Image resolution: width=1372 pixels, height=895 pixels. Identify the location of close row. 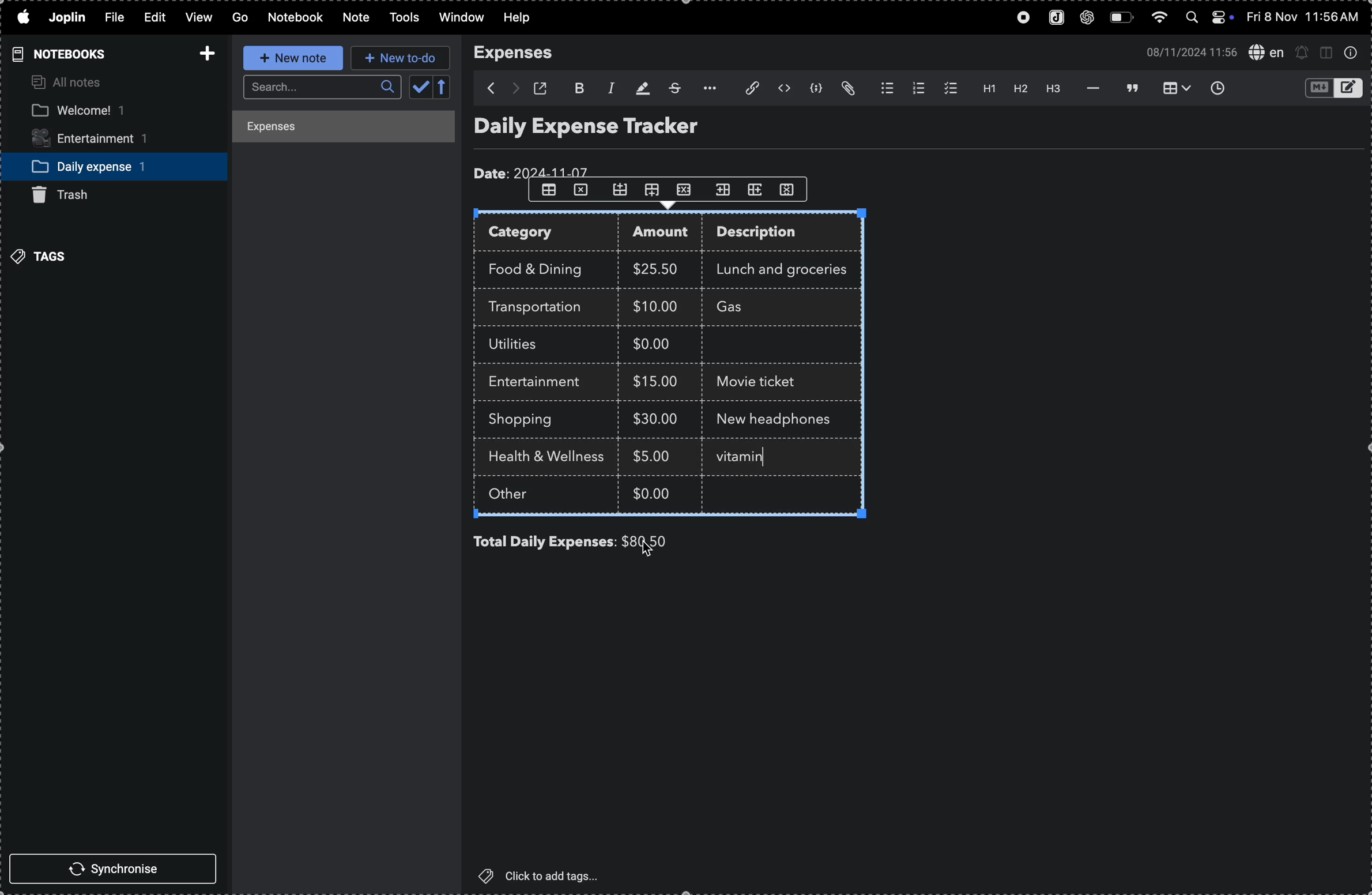
(582, 193).